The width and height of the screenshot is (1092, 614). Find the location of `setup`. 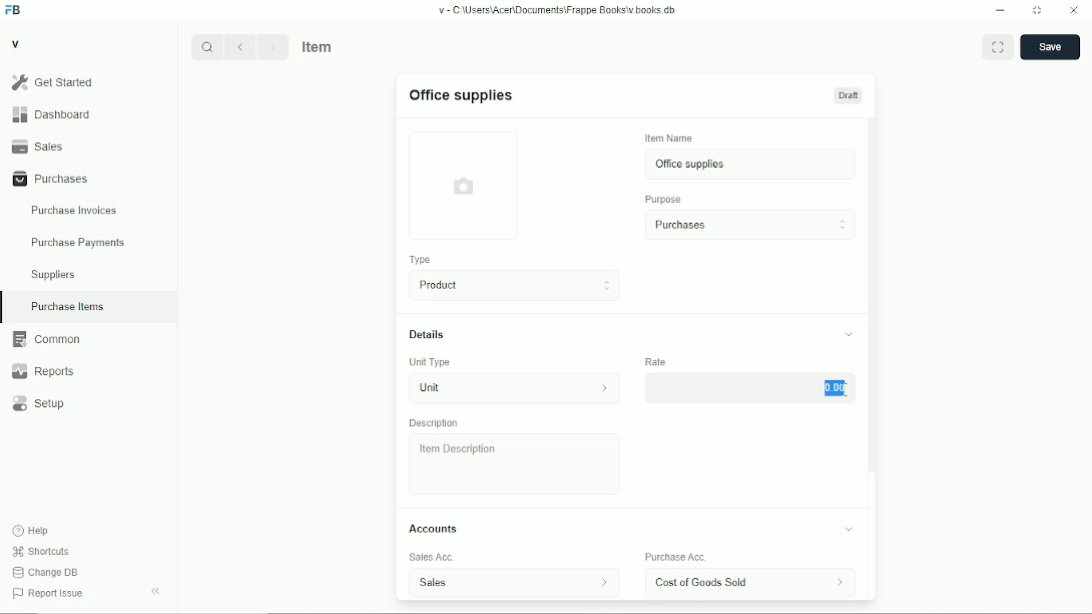

setup is located at coordinates (39, 404).